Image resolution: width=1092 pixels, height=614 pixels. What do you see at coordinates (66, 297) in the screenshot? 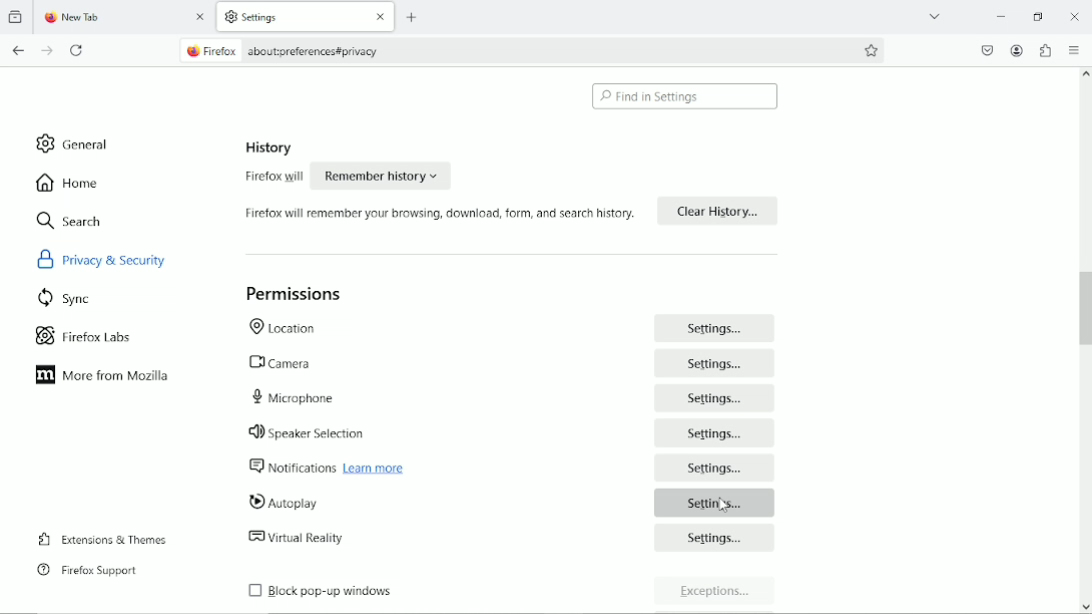
I see `sync` at bounding box center [66, 297].